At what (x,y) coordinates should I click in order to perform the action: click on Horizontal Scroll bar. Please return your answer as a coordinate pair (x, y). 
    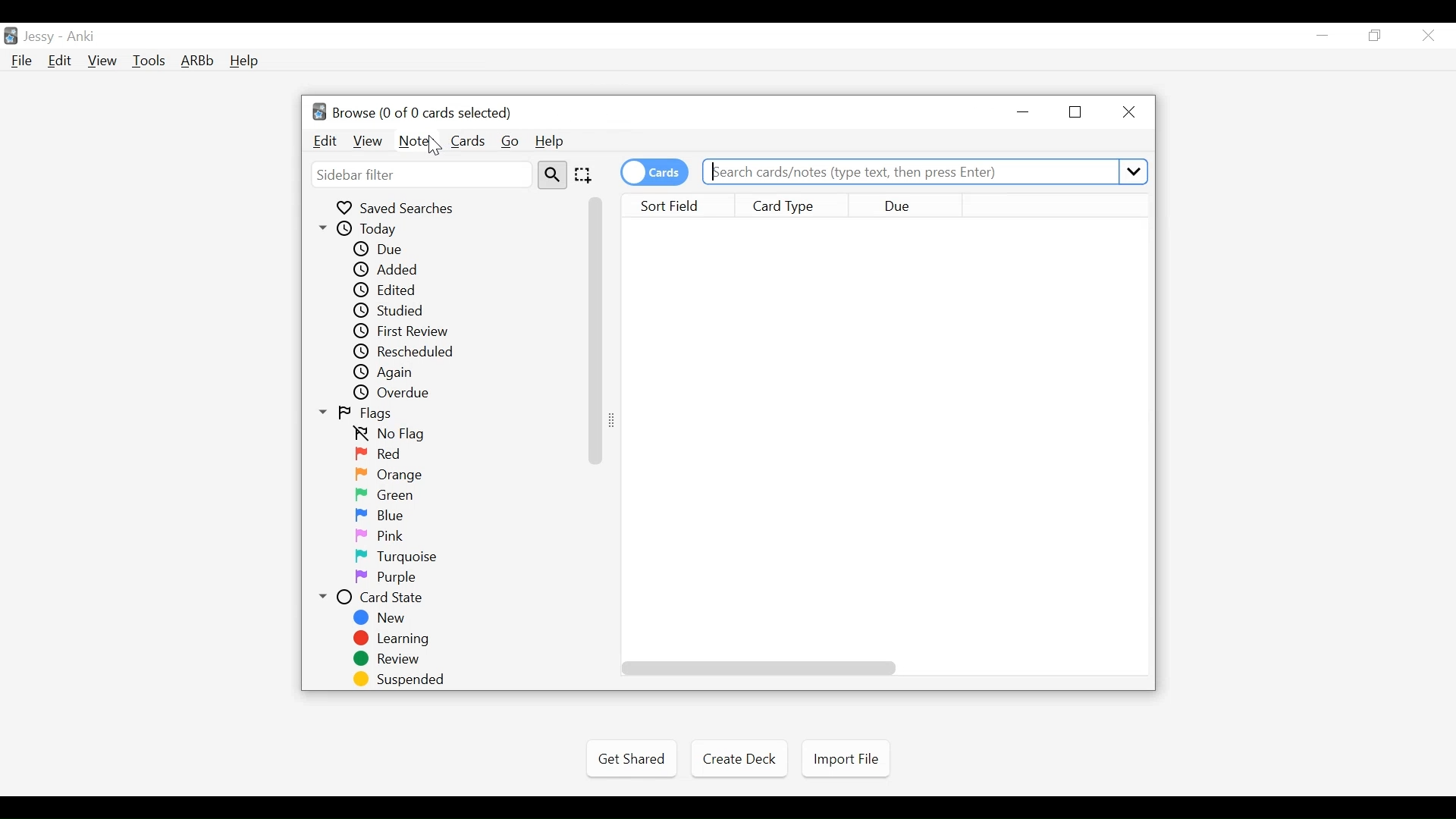
    Looking at the image, I should click on (759, 668).